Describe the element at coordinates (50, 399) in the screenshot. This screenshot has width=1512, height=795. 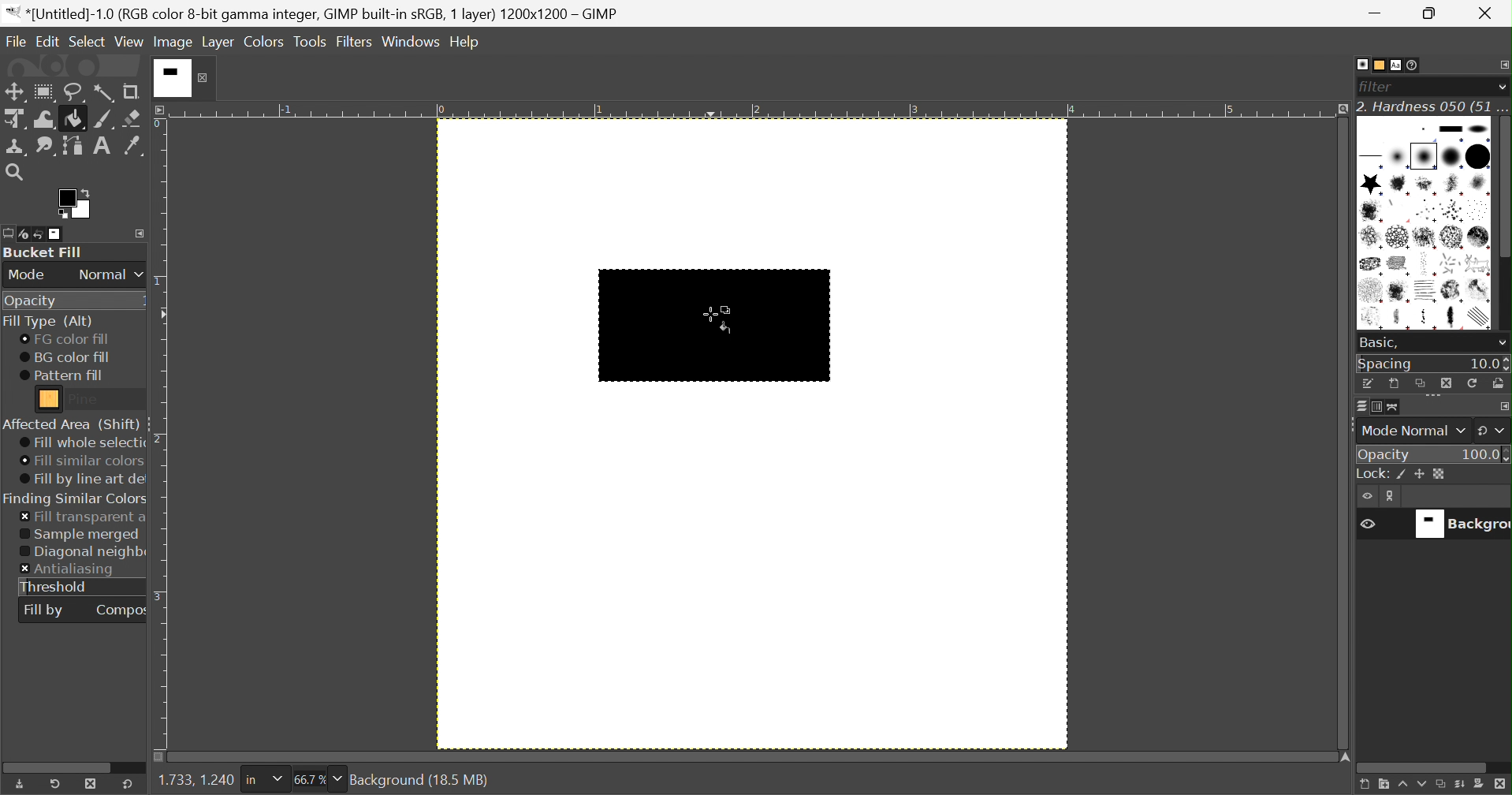
I see `Pattern` at that location.